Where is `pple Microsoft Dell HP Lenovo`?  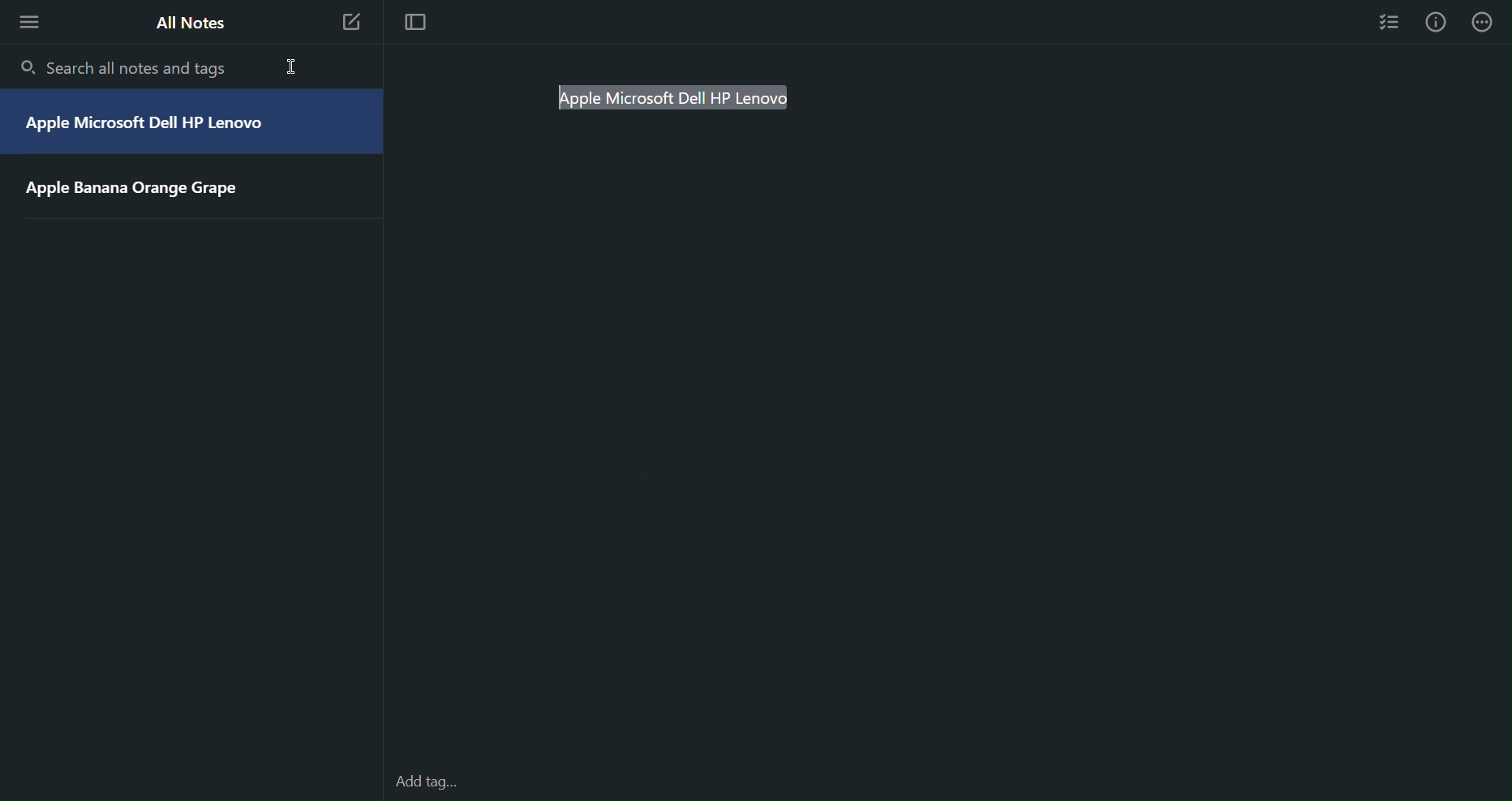 pple Microsoft Dell HP Lenovo is located at coordinates (674, 100).